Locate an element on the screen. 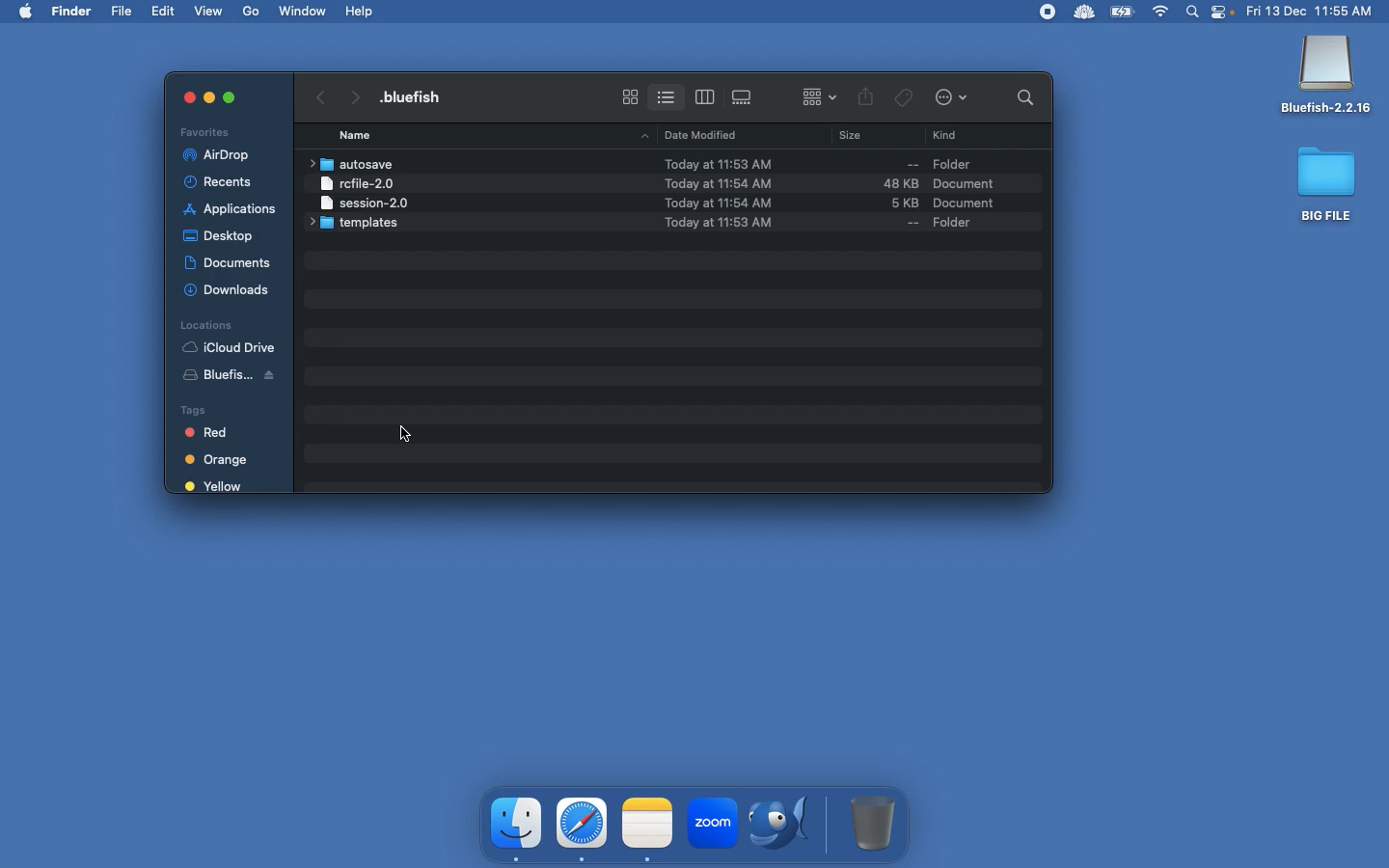  Downloads is located at coordinates (230, 289).